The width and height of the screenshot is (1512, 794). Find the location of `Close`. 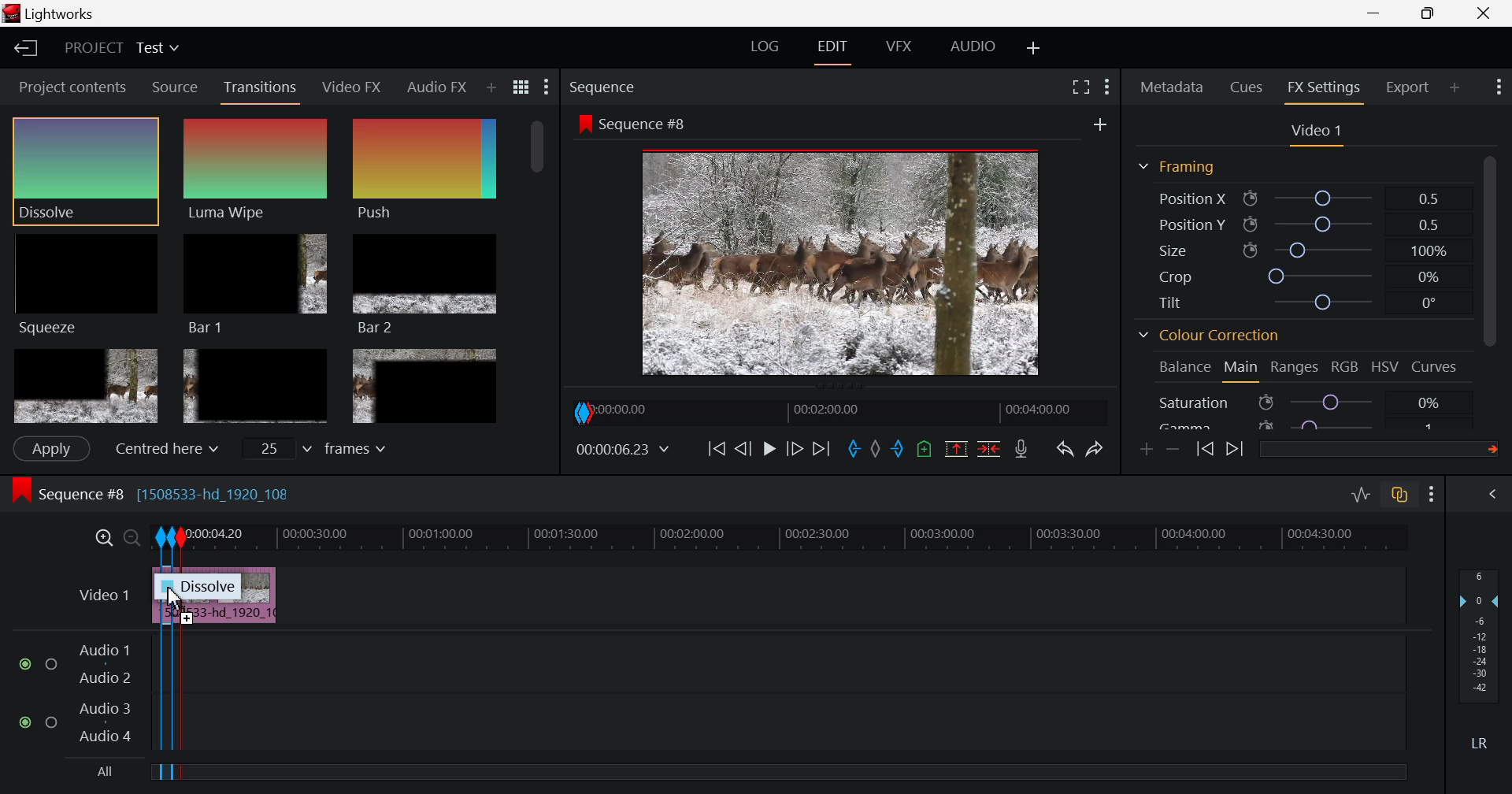

Close is located at coordinates (1480, 13).